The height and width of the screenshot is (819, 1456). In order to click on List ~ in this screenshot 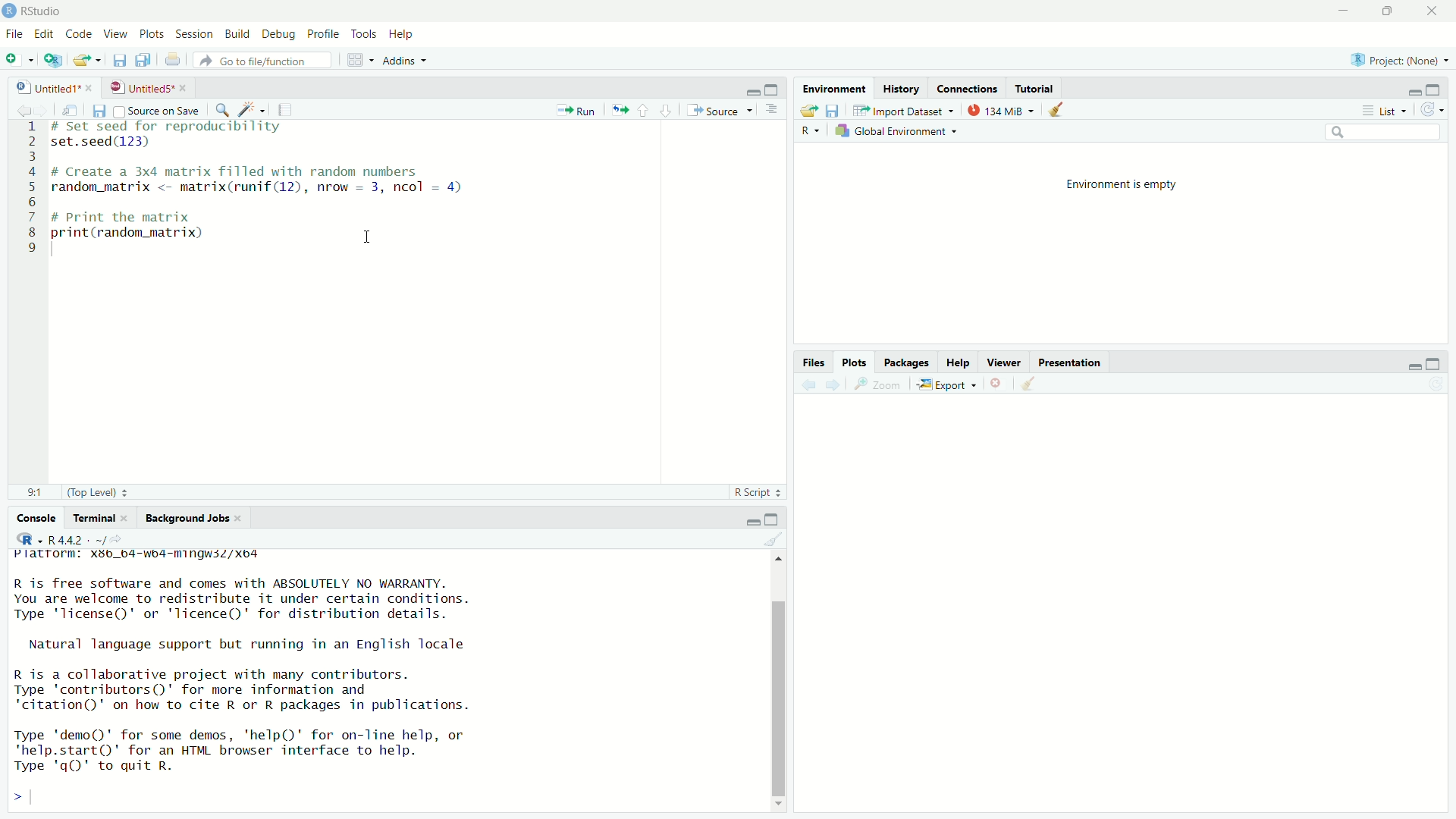, I will do `click(1382, 111)`.